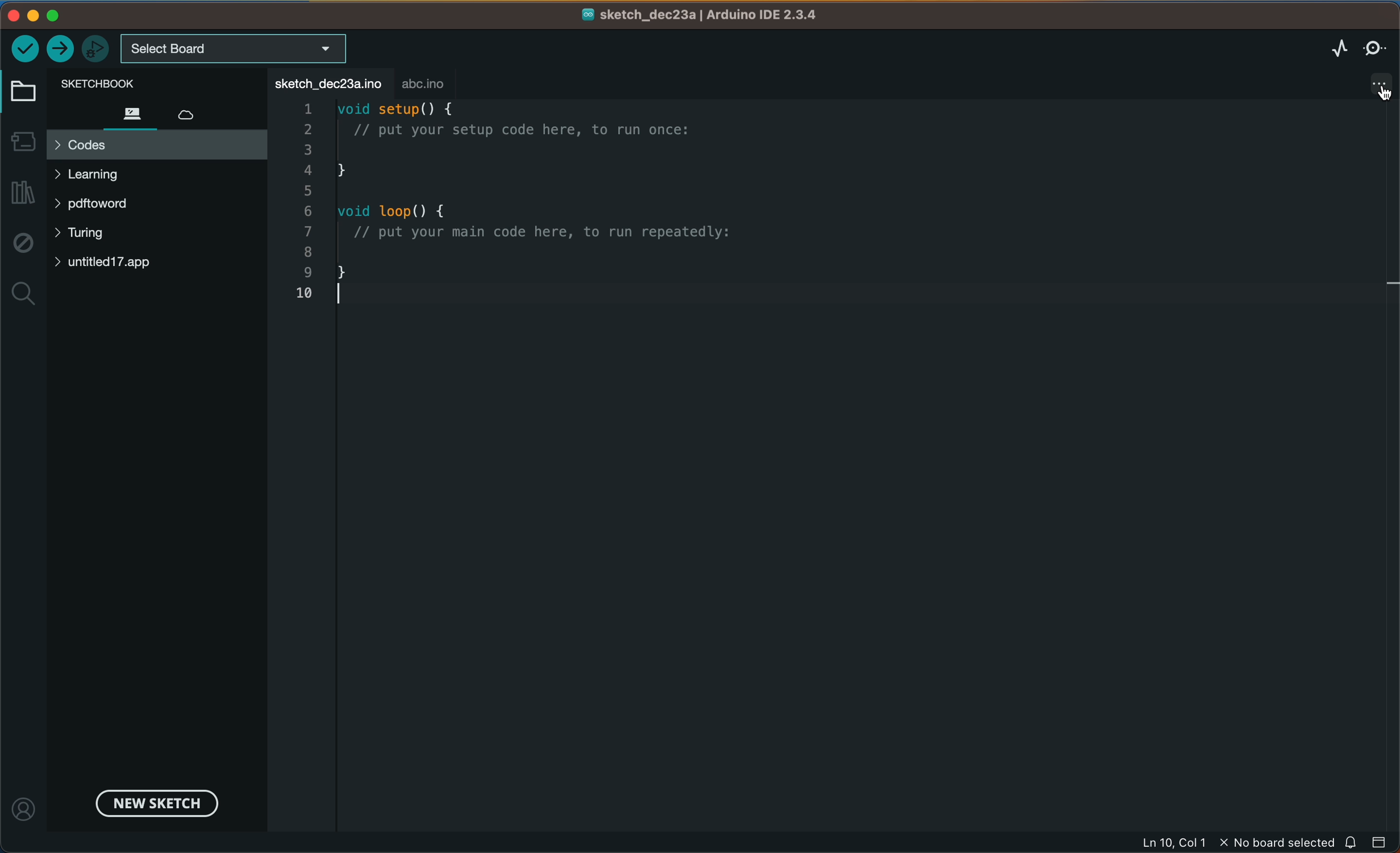 This screenshot has width=1400, height=853. Describe the element at coordinates (27, 48) in the screenshot. I see `verify` at that location.